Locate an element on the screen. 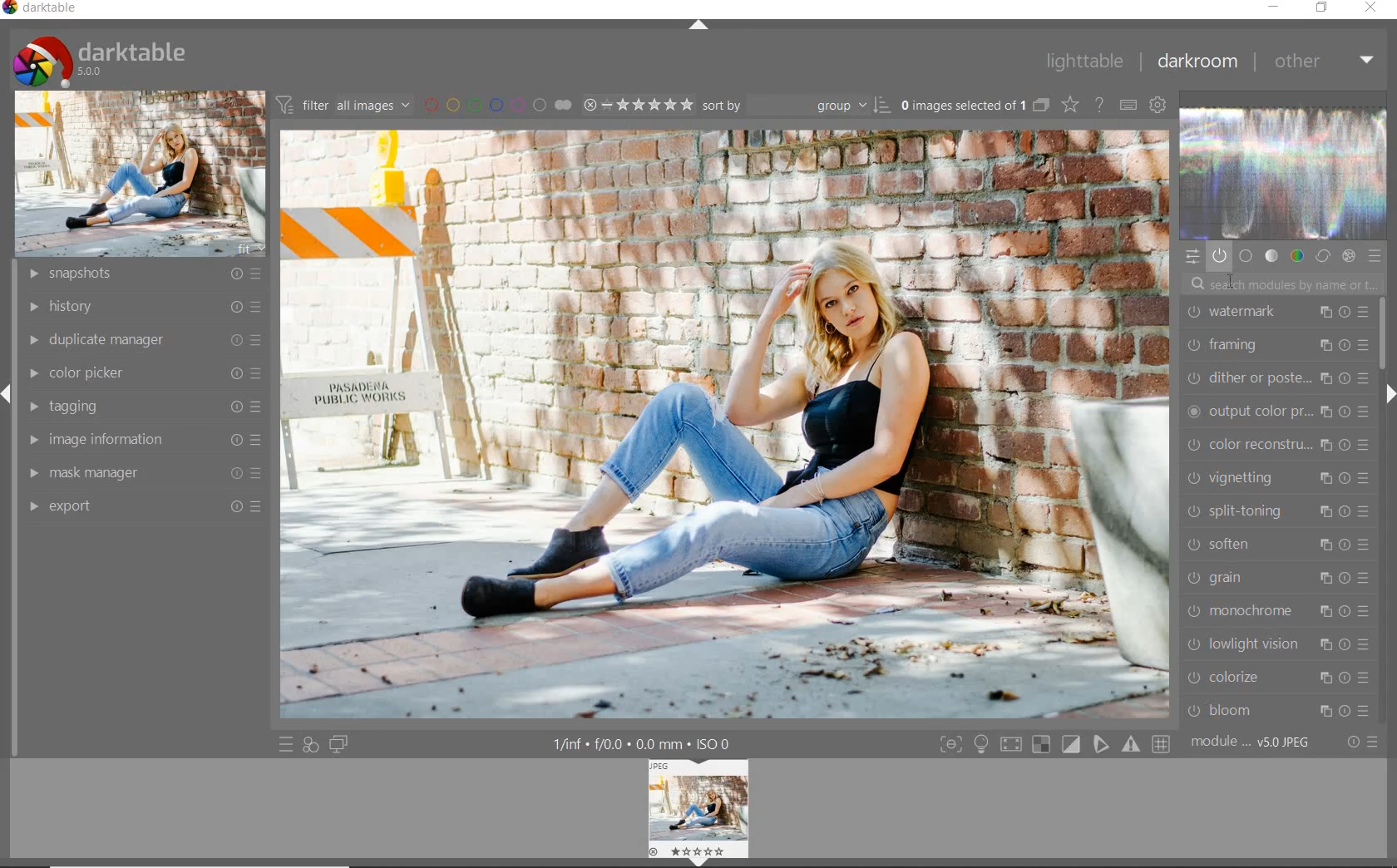 The height and width of the screenshot is (868, 1397). selected images is located at coordinates (961, 106).